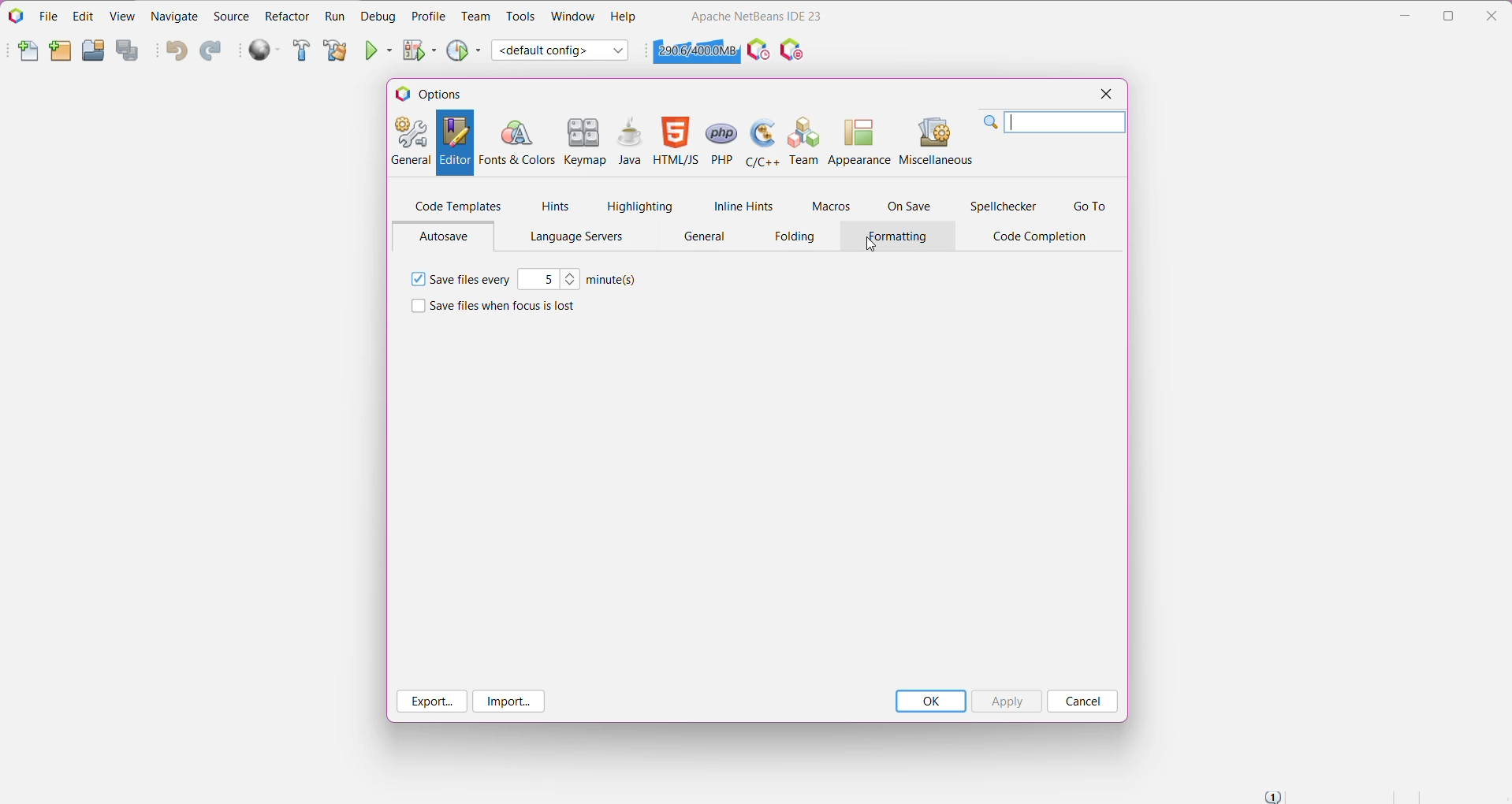 The width and height of the screenshot is (1512, 804). I want to click on more and less, so click(572, 279).